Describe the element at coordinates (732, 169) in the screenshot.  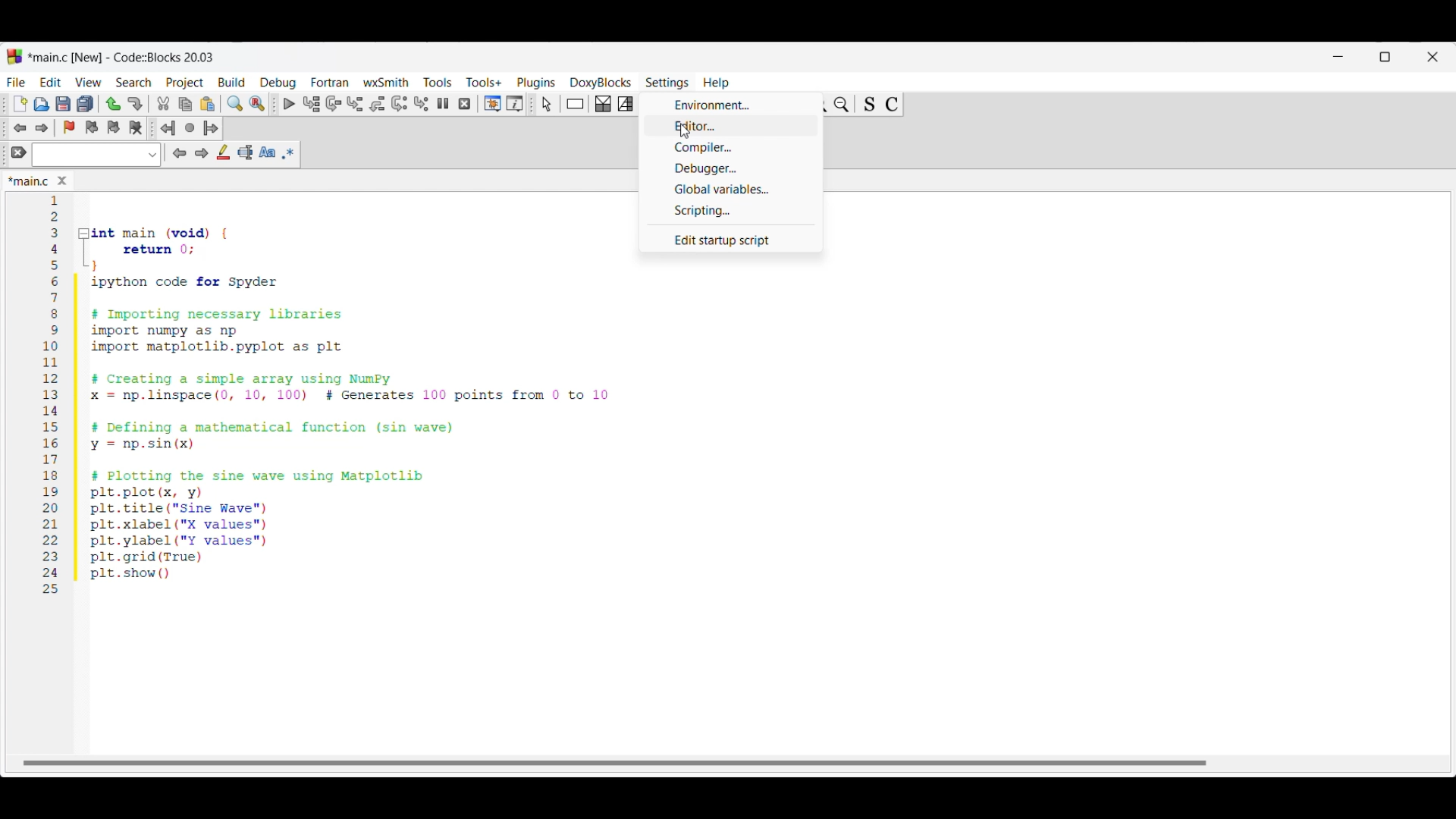
I see `Debugger` at that location.